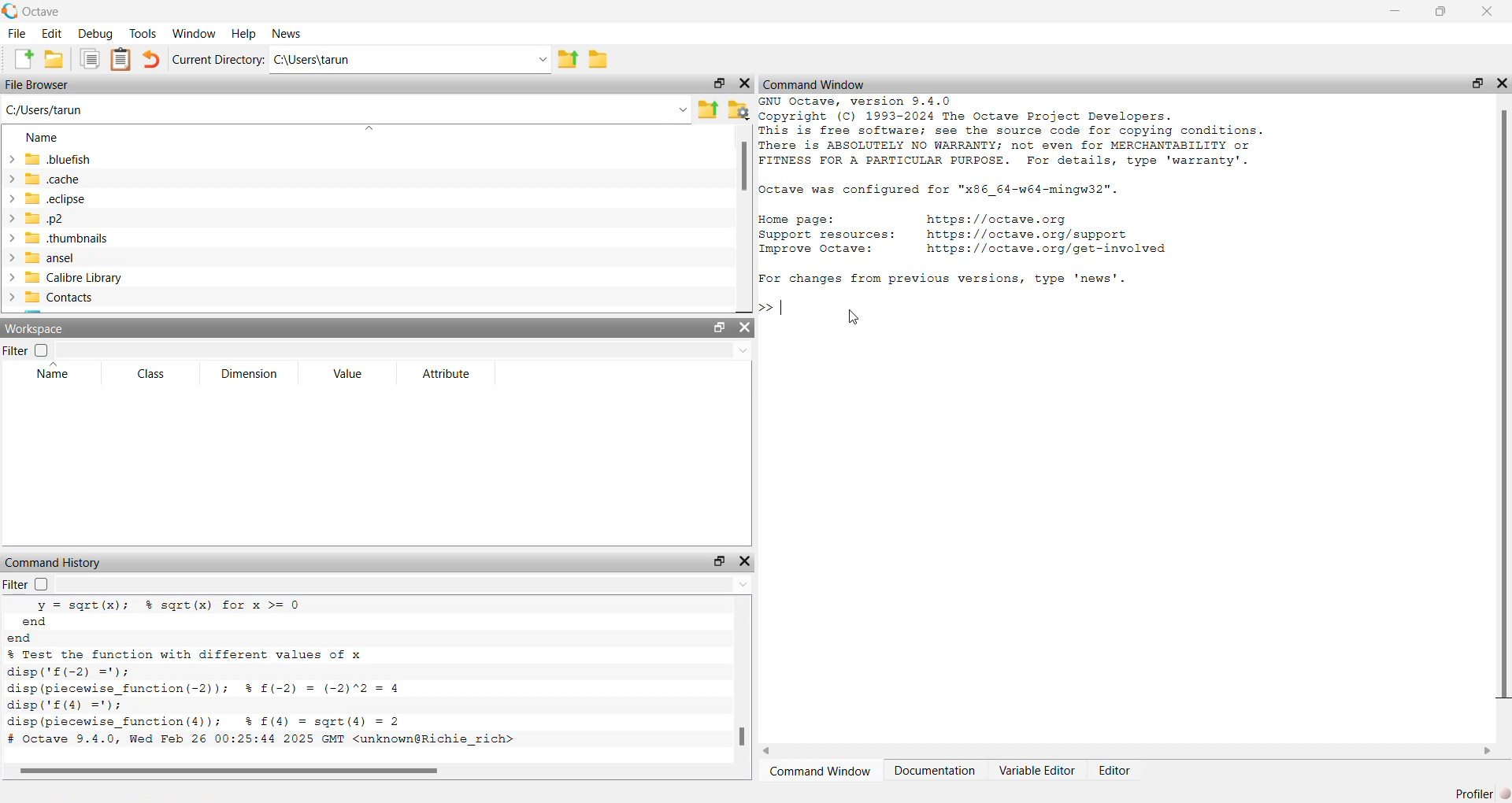 Image resolution: width=1512 pixels, height=803 pixels. Describe the element at coordinates (151, 60) in the screenshot. I see `Undo` at that location.